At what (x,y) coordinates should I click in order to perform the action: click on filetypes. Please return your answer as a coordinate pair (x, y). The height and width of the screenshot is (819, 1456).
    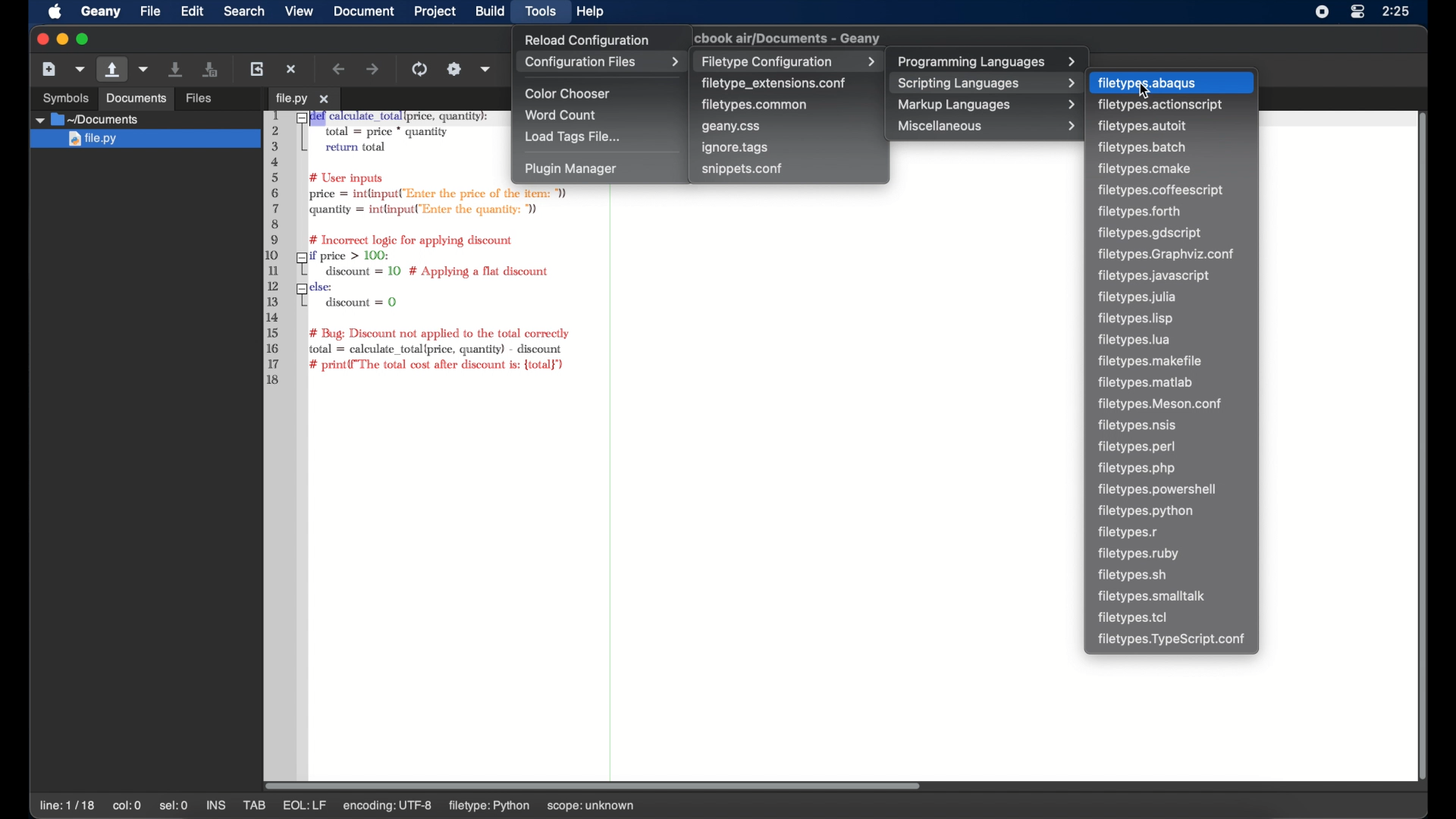
    Looking at the image, I should click on (1159, 490).